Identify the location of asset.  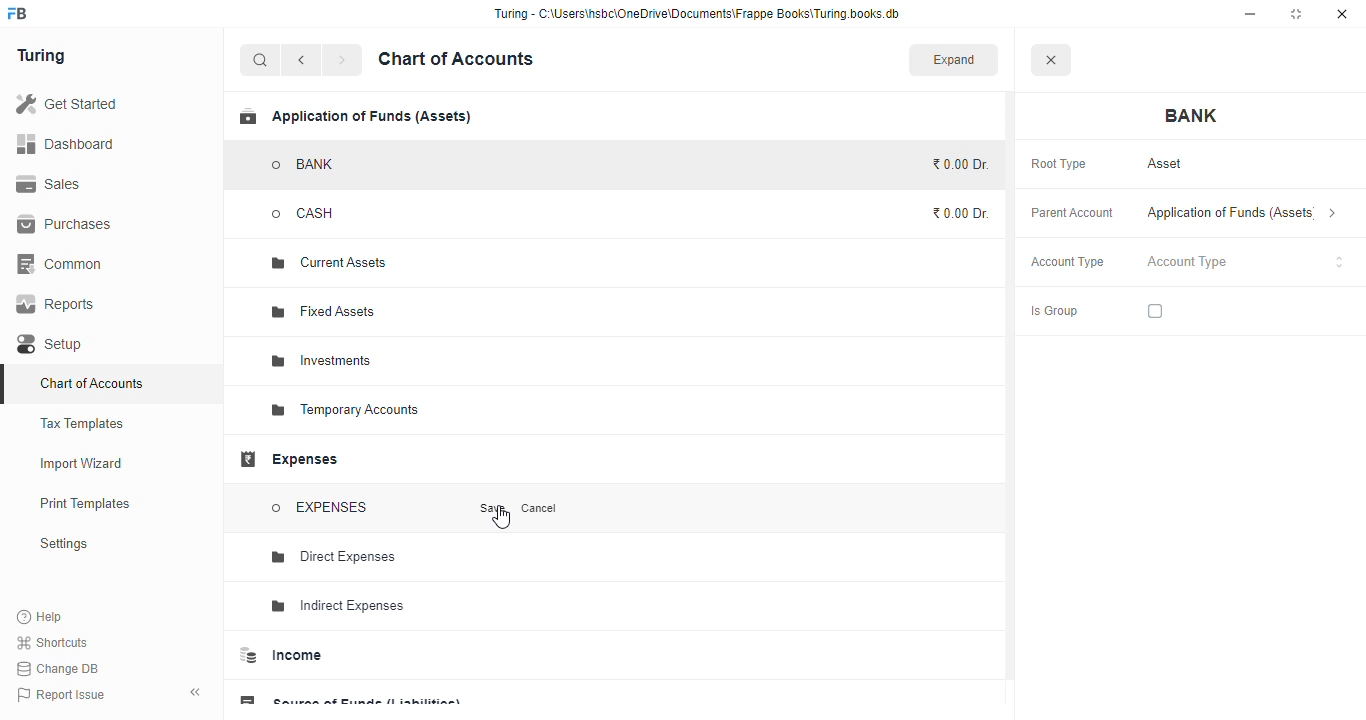
(1166, 164).